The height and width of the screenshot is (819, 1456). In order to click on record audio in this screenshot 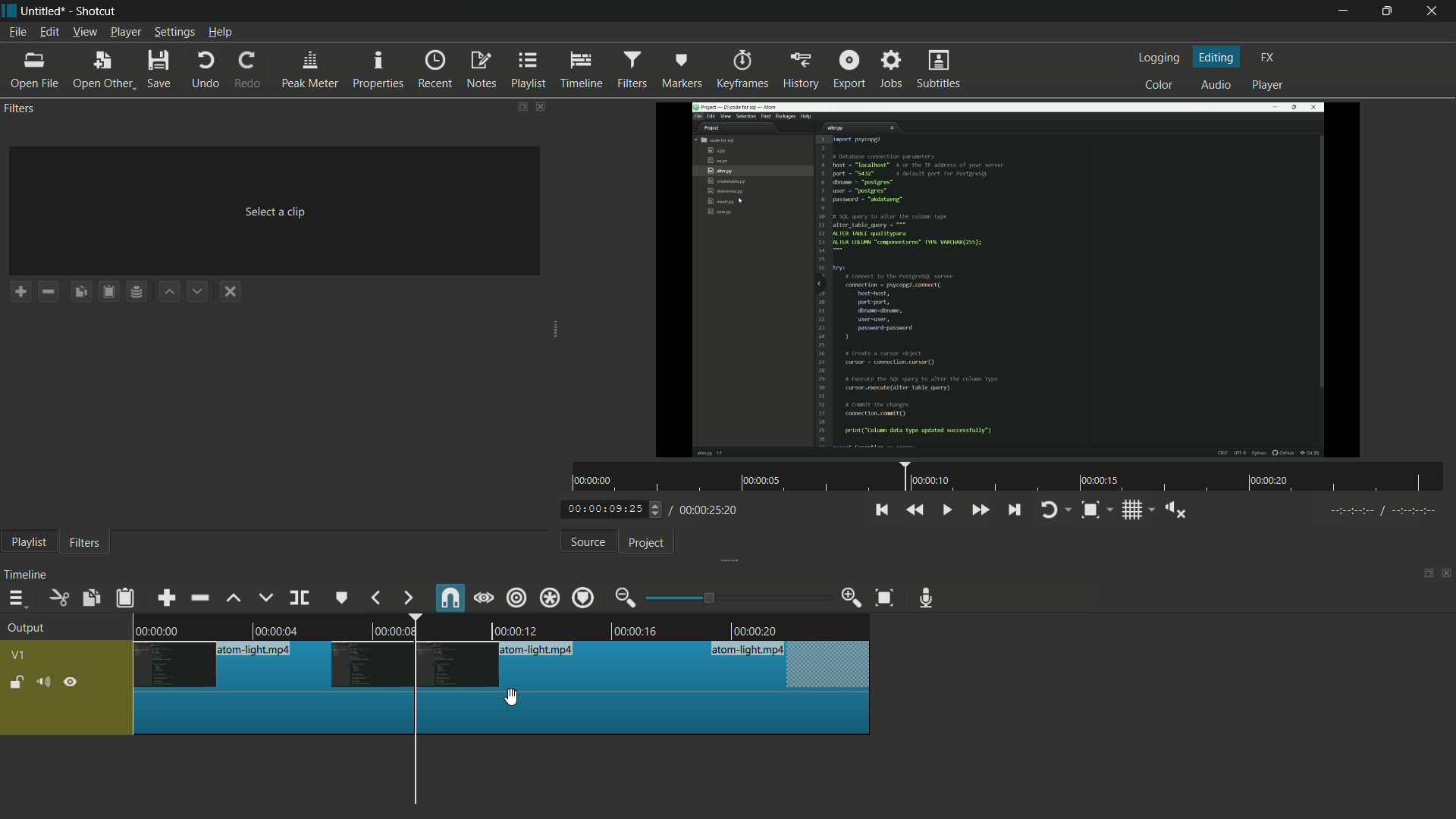, I will do `click(930, 598)`.